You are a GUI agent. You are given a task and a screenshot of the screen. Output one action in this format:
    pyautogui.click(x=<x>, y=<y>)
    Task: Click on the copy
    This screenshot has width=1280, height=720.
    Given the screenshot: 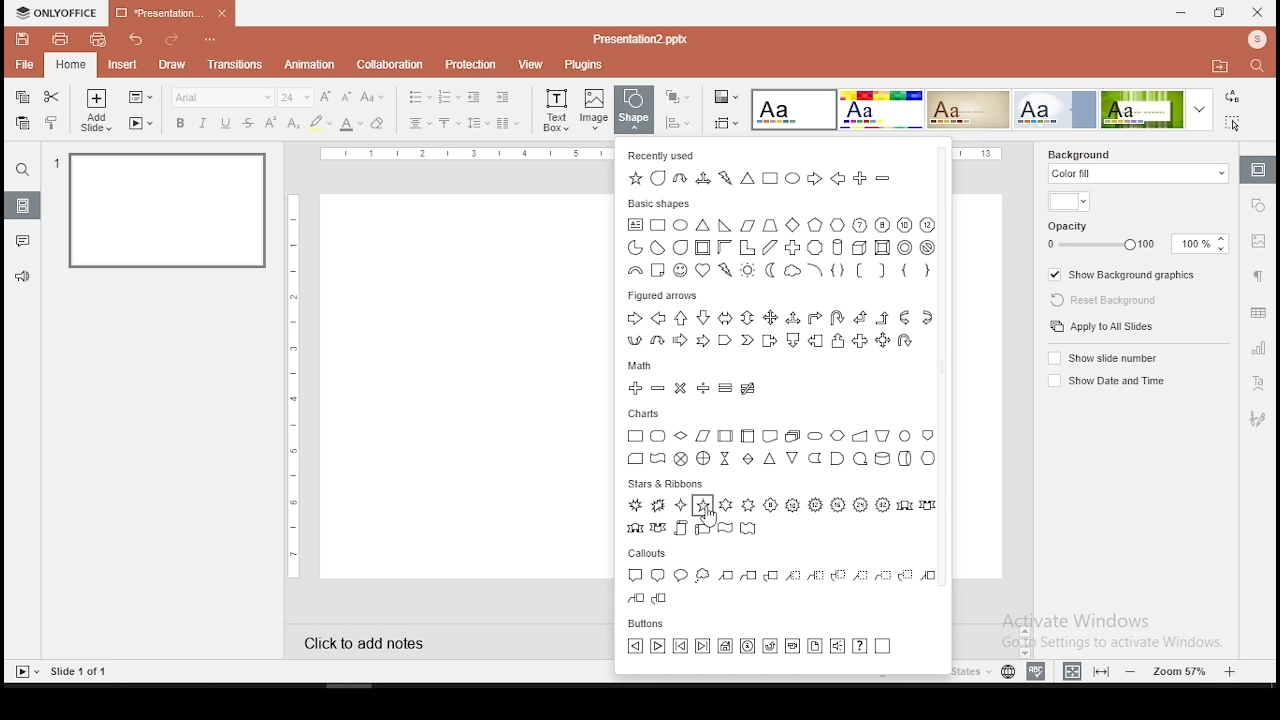 What is the action you would take?
    pyautogui.click(x=21, y=98)
    